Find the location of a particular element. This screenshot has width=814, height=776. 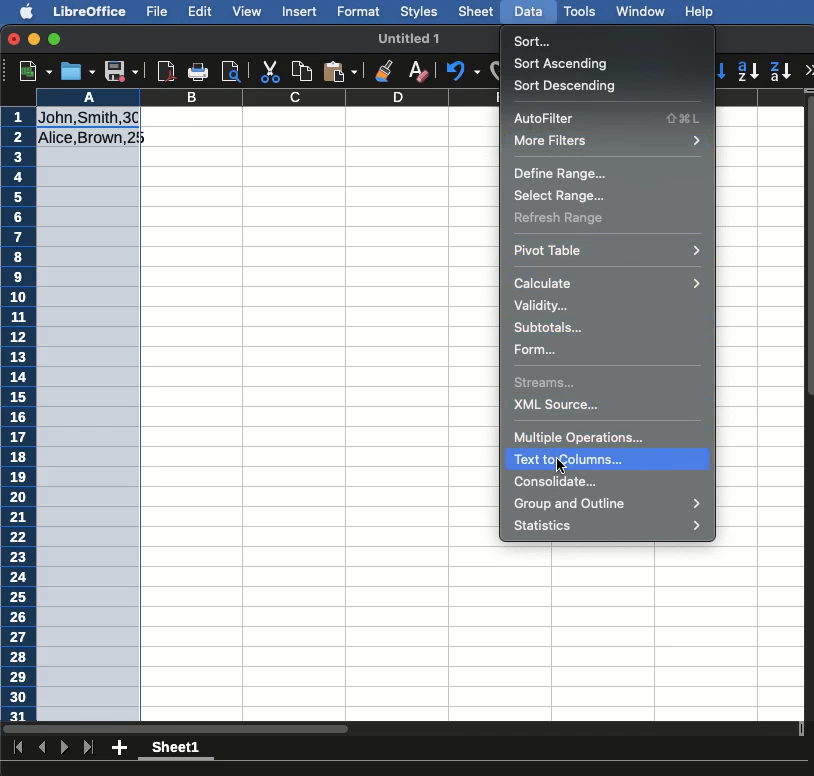

First sheet is located at coordinates (20, 747).